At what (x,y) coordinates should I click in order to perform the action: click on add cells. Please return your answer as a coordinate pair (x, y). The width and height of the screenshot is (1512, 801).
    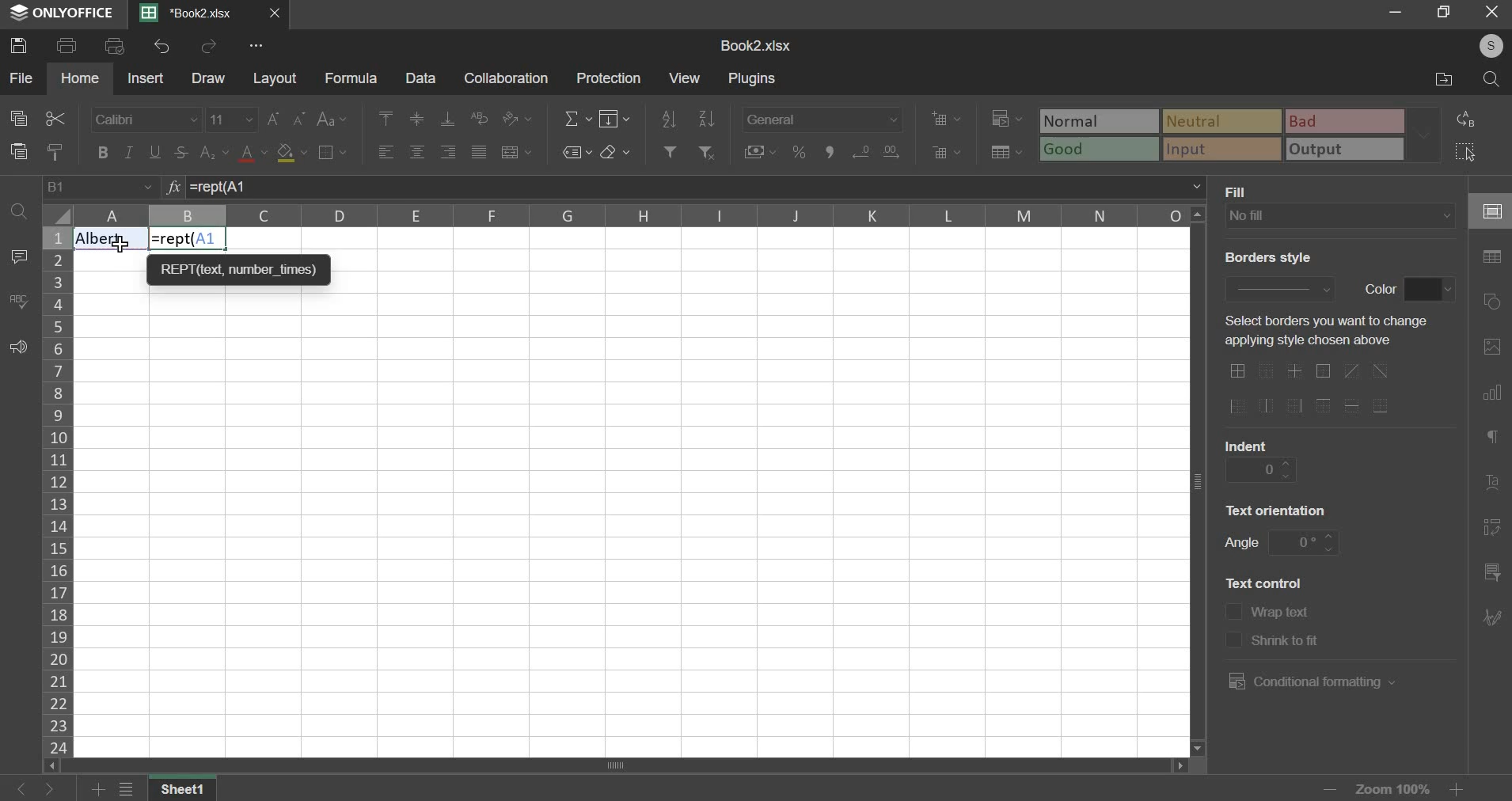
    Looking at the image, I should click on (946, 117).